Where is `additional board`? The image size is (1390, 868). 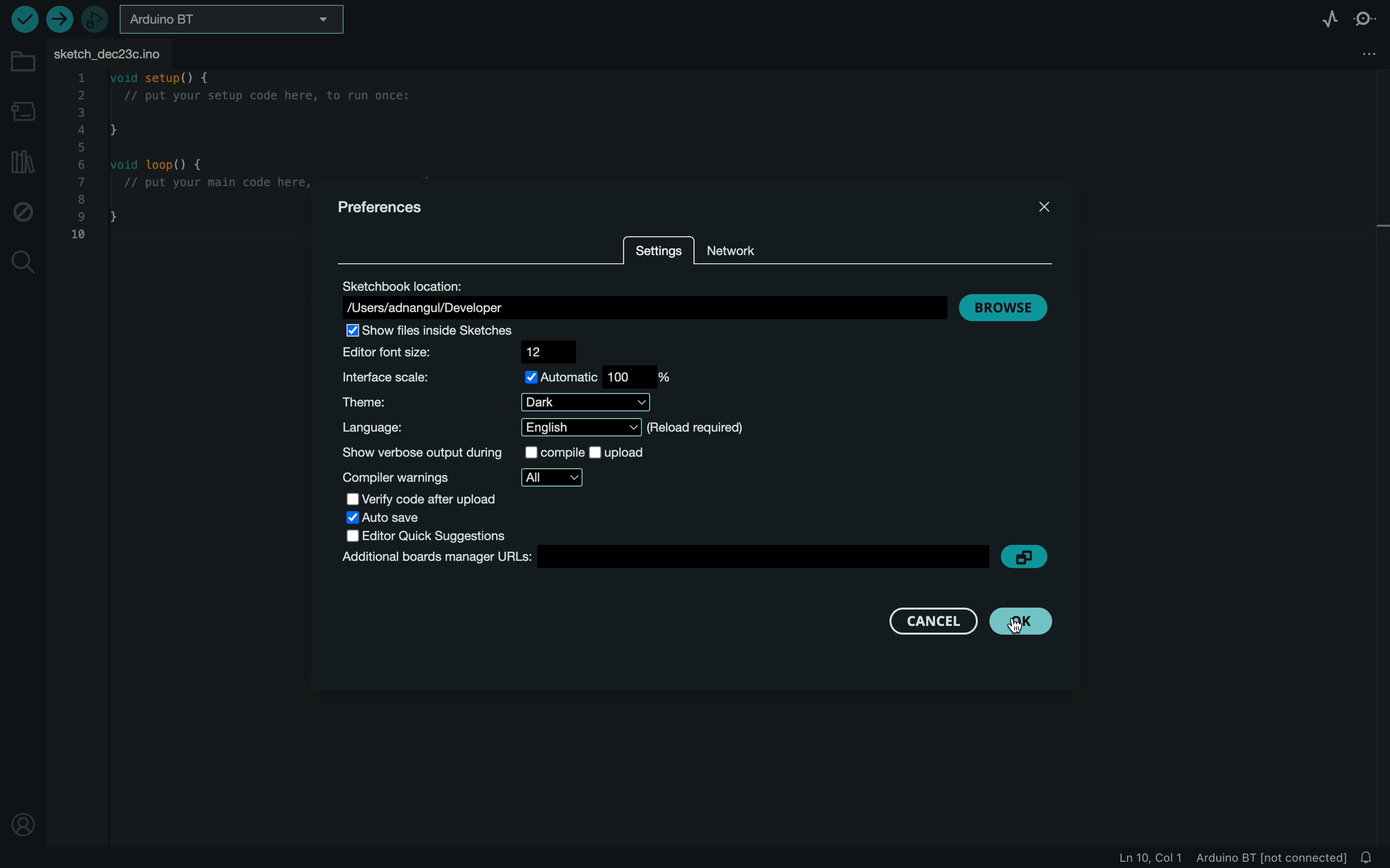 additional board is located at coordinates (663, 557).